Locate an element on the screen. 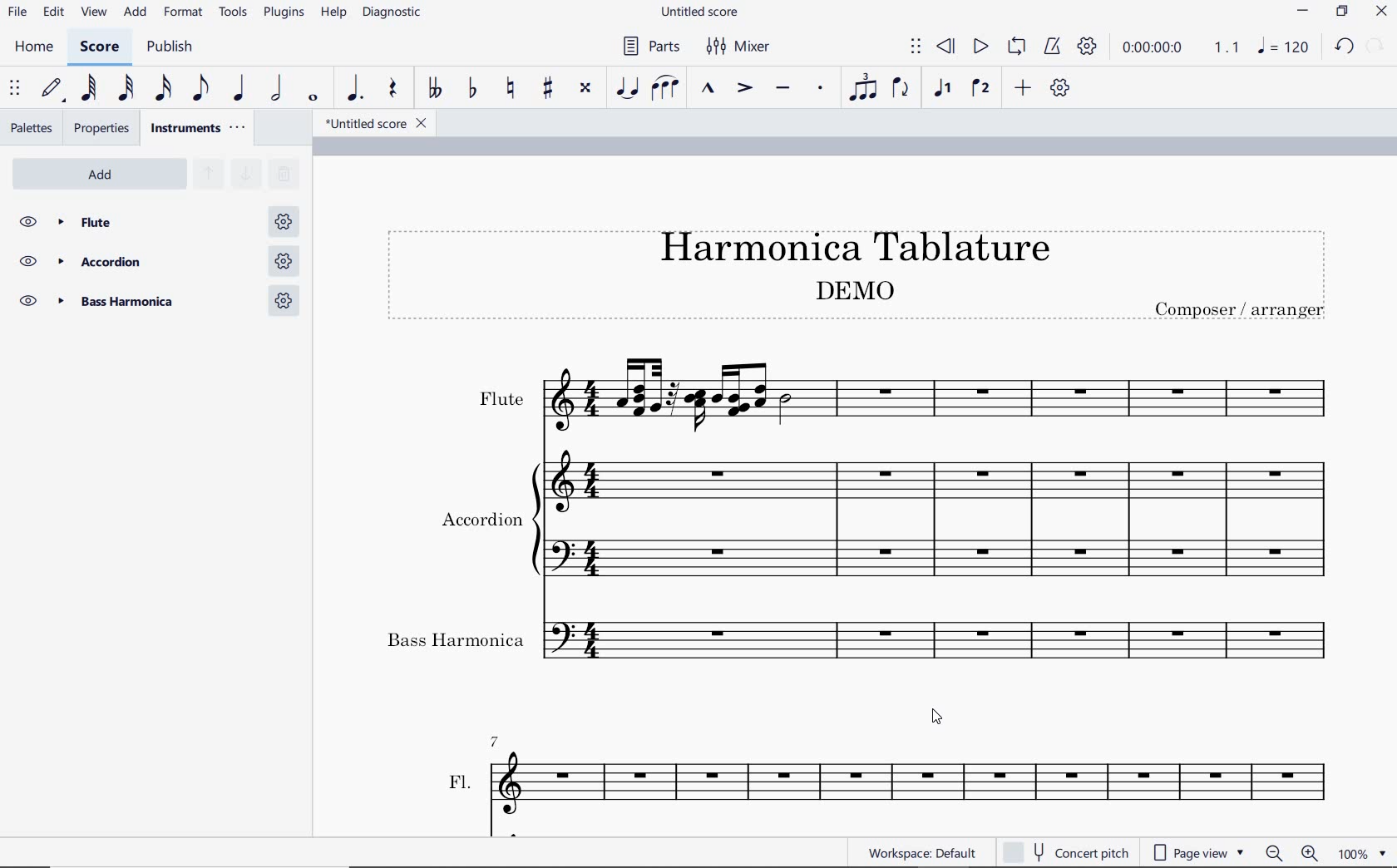  UNDO is located at coordinates (1344, 46).